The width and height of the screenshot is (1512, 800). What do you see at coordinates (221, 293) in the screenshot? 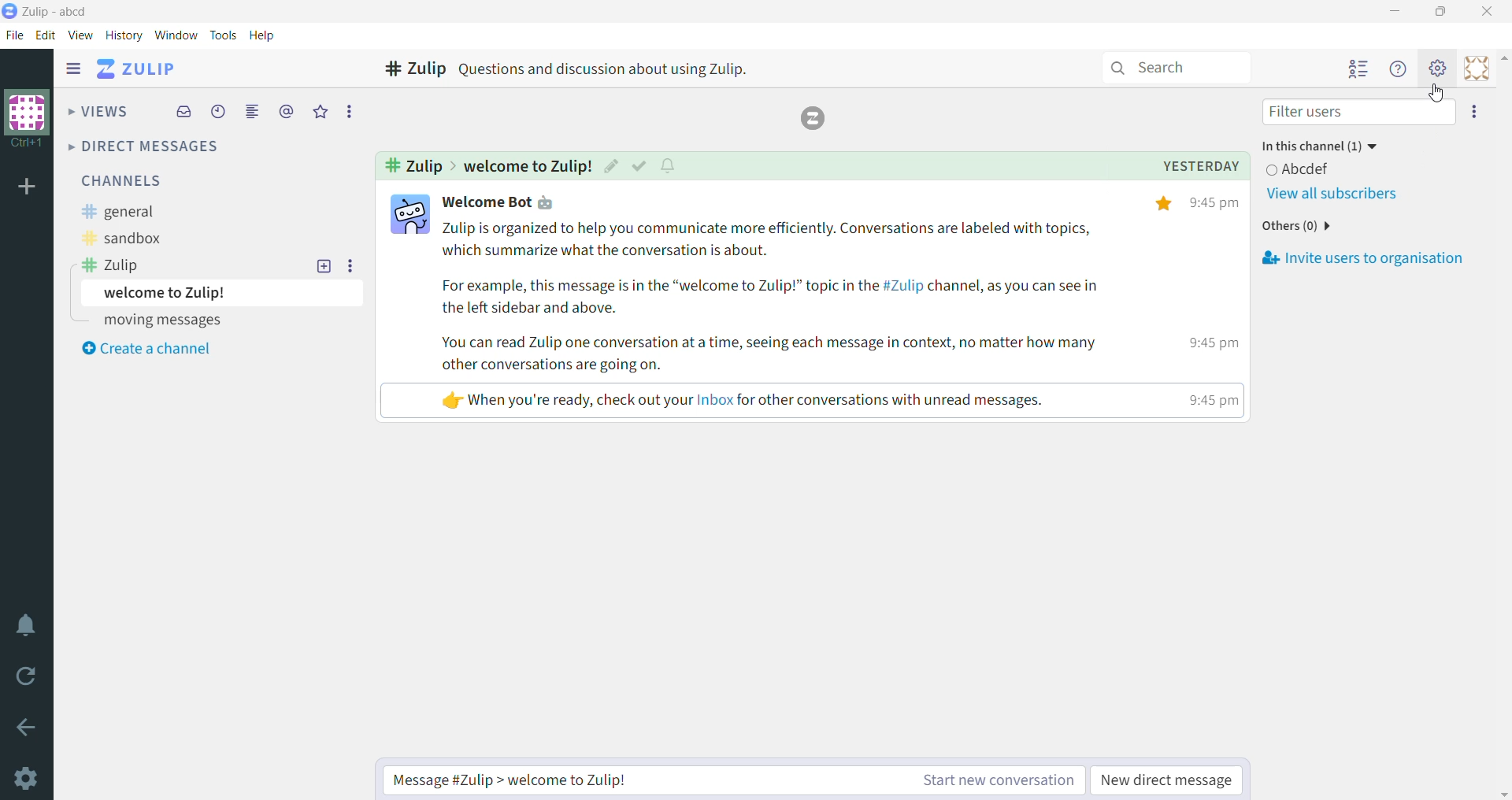
I see `welcome to Zulip` at bounding box center [221, 293].